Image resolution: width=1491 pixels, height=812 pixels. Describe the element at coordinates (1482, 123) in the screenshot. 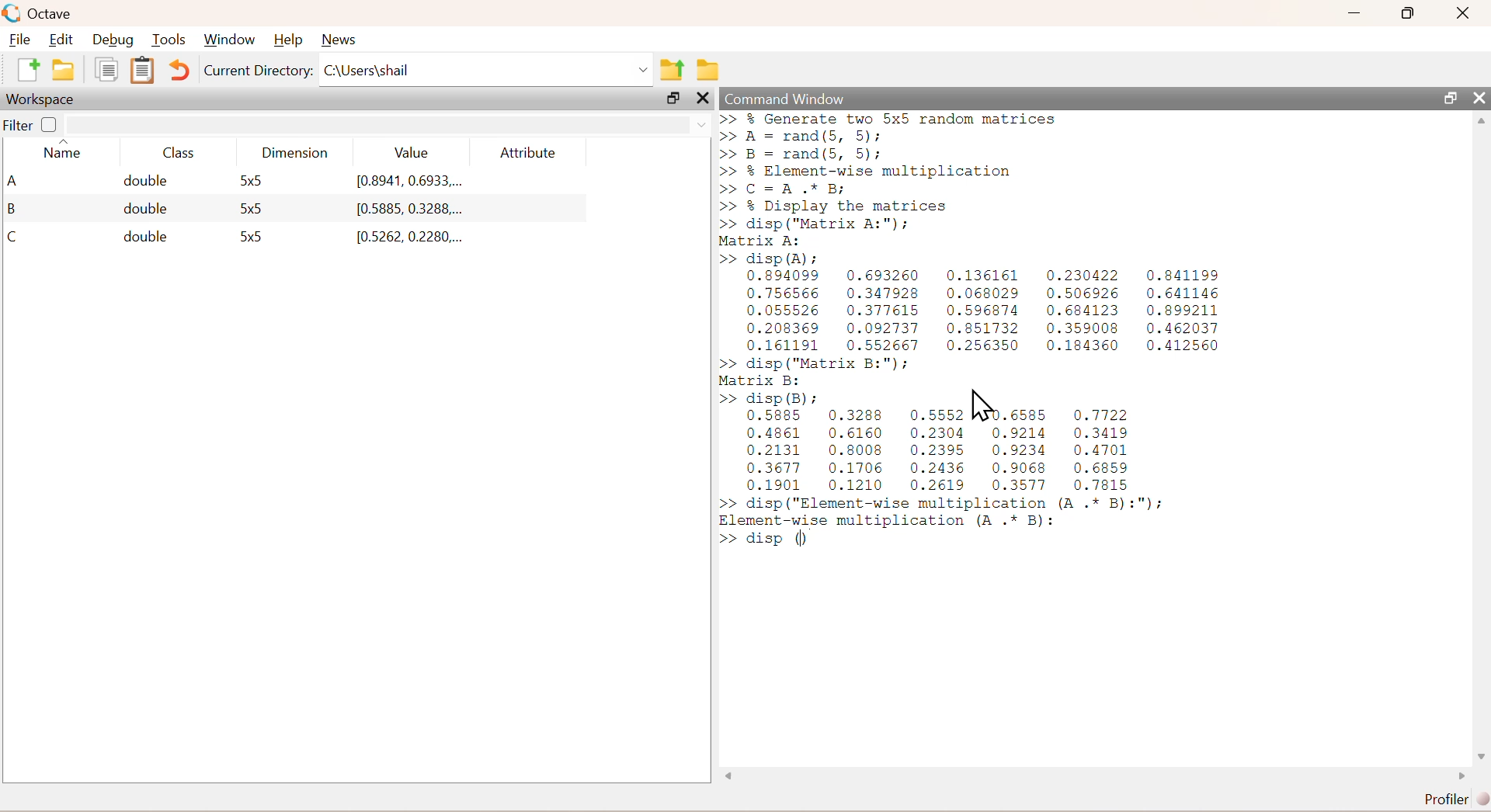

I see `Up` at that location.